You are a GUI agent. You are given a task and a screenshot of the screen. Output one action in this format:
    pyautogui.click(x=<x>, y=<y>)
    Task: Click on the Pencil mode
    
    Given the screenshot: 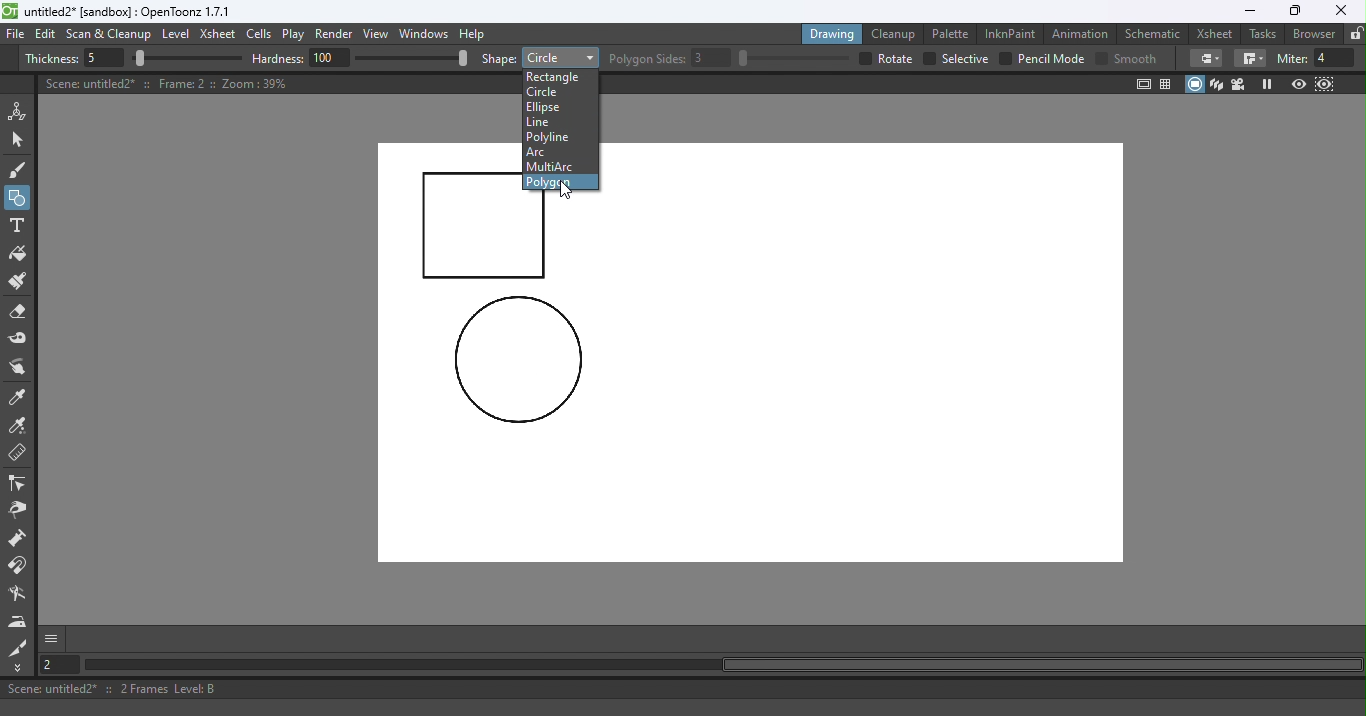 What is the action you would take?
    pyautogui.click(x=1050, y=59)
    